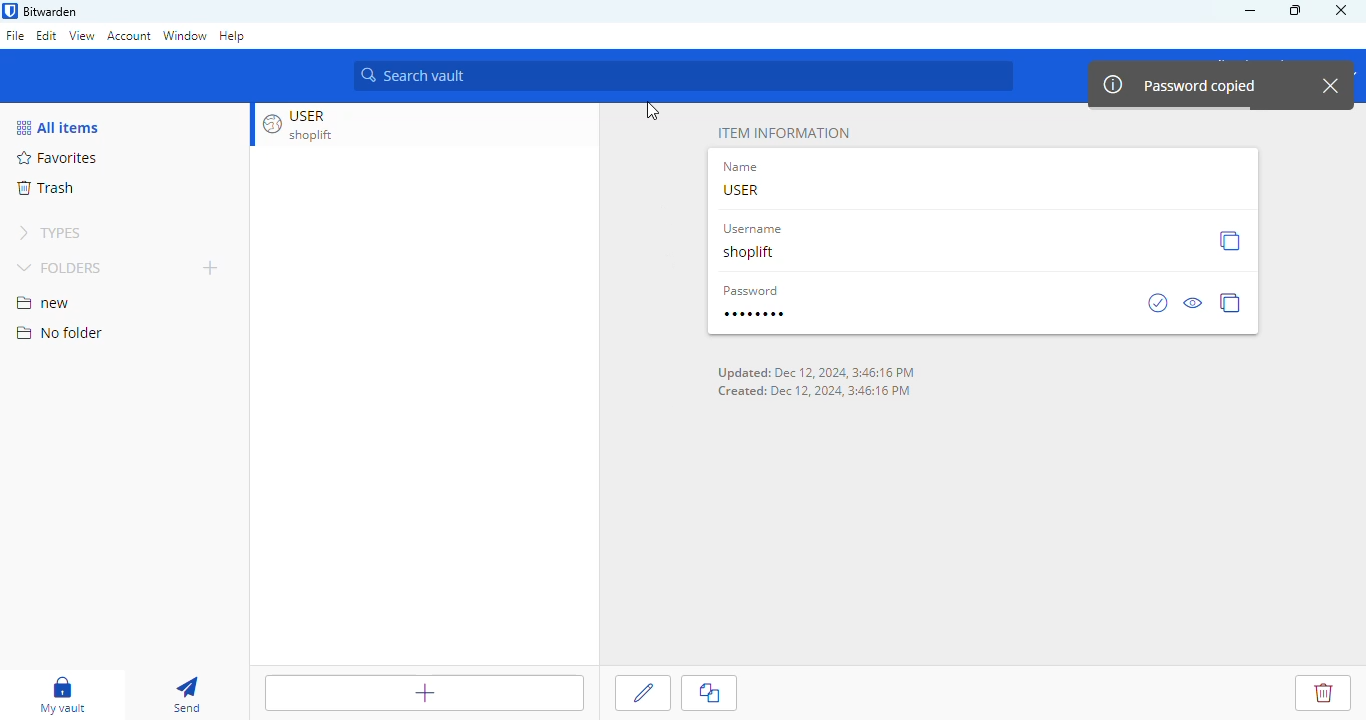 This screenshot has height=720, width=1366. What do you see at coordinates (816, 373) in the screenshot?
I see `Updated: Dec 12, 2024, 3:46:16 PM` at bounding box center [816, 373].